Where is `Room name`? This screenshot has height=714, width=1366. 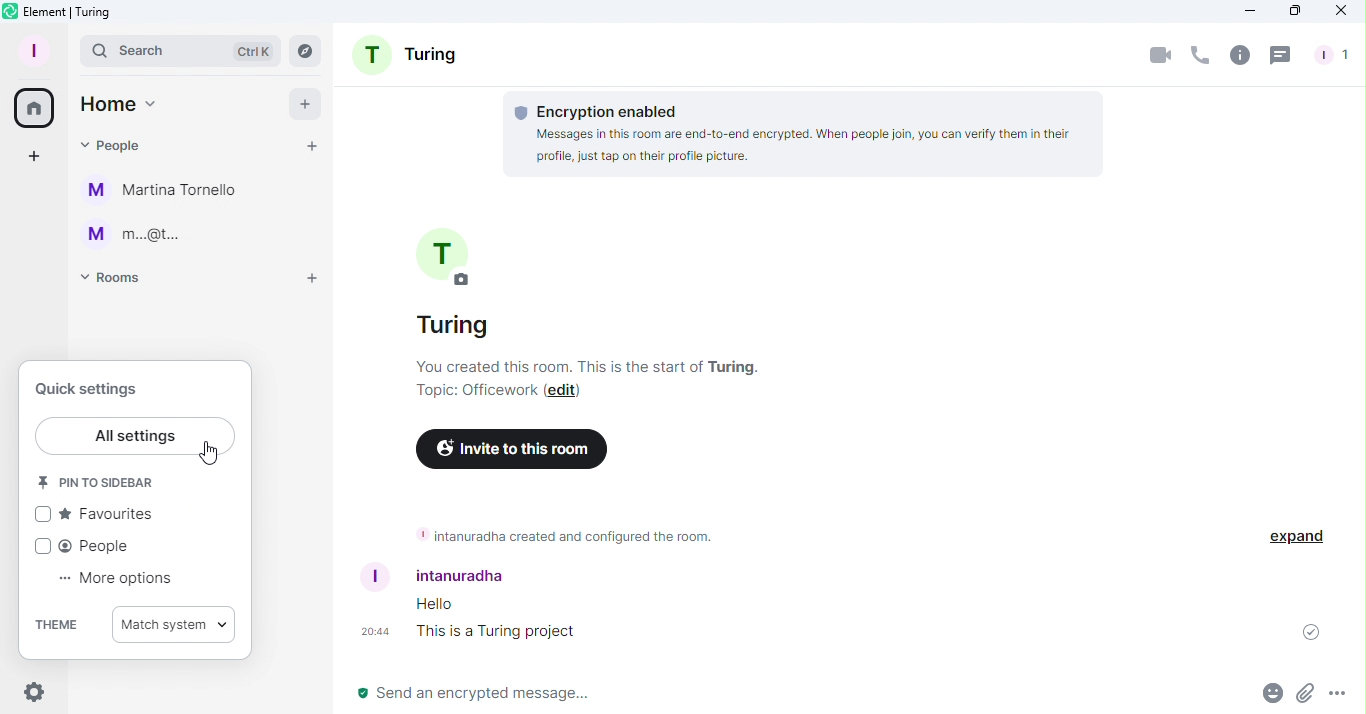 Room name is located at coordinates (414, 51).